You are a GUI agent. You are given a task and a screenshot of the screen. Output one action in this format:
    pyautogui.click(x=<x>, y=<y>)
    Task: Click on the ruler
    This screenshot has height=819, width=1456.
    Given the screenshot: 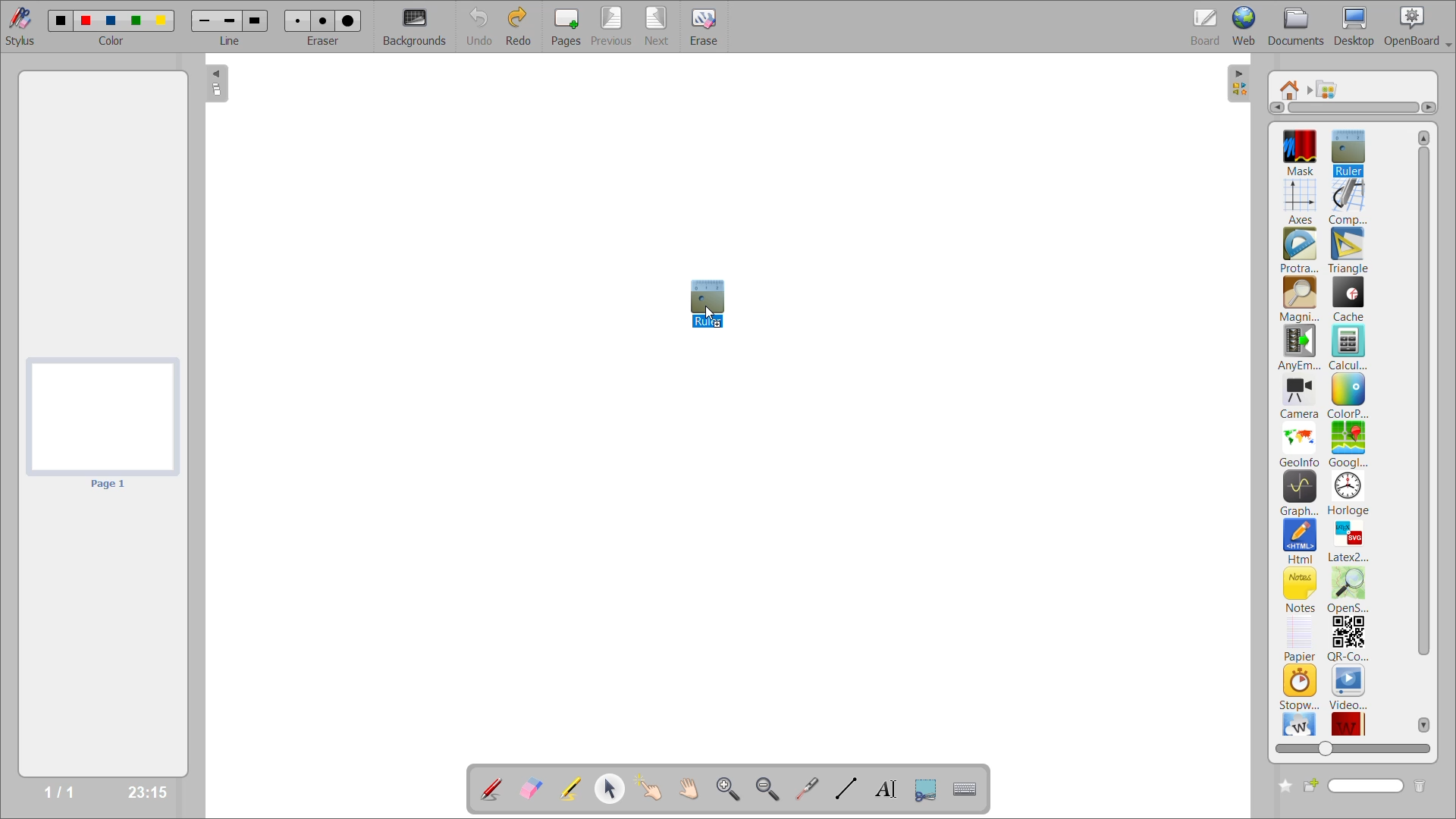 What is the action you would take?
    pyautogui.click(x=1347, y=151)
    